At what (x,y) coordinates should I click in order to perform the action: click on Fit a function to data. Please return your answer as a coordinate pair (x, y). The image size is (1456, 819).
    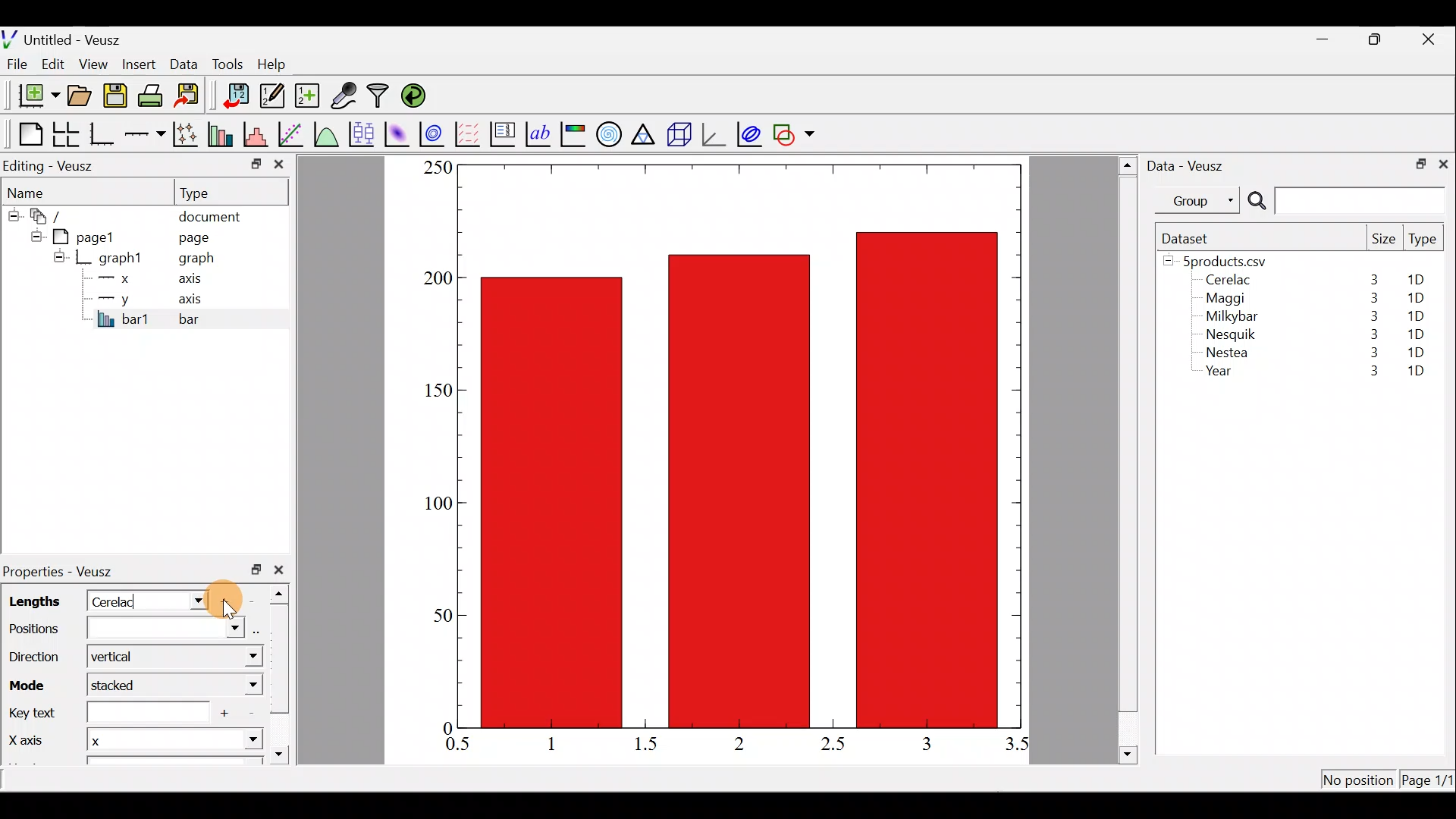
    Looking at the image, I should click on (292, 133).